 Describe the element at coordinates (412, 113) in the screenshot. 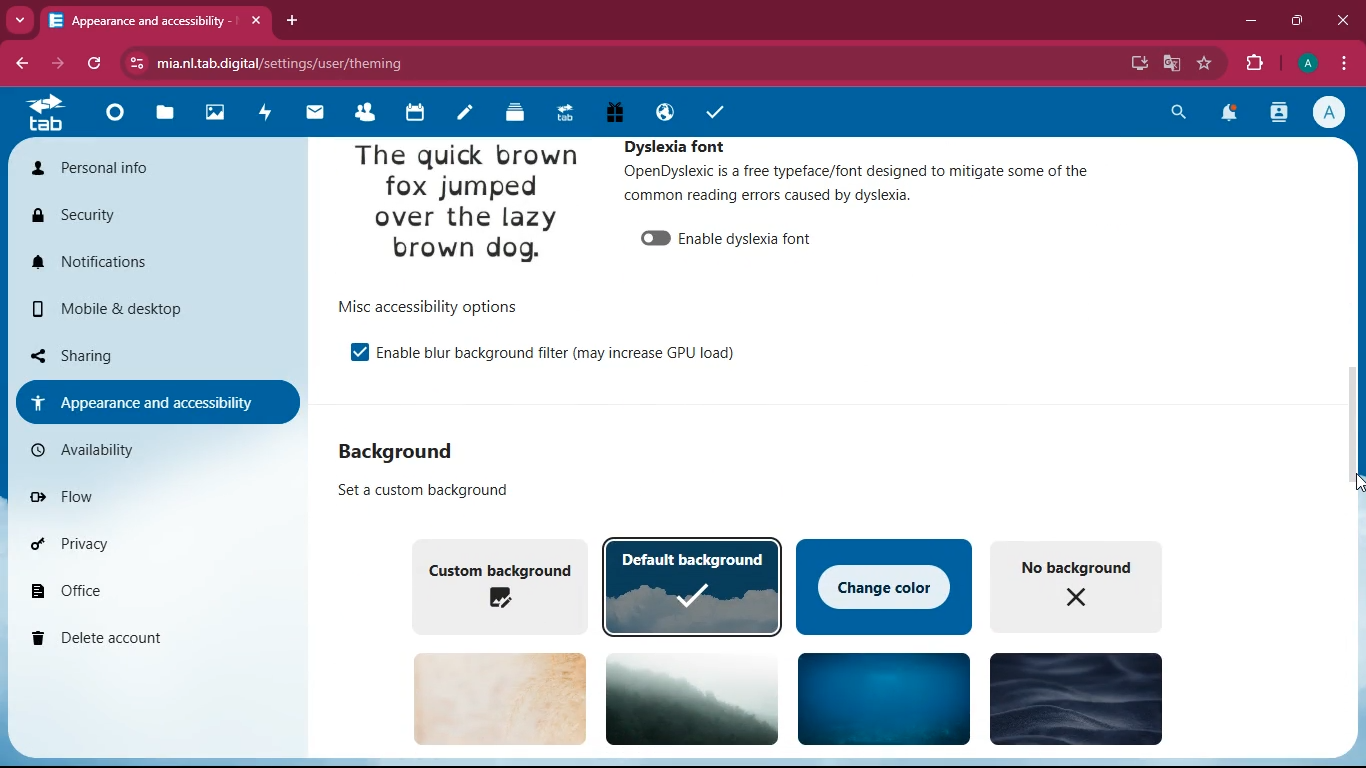

I see `calendar` at that location.